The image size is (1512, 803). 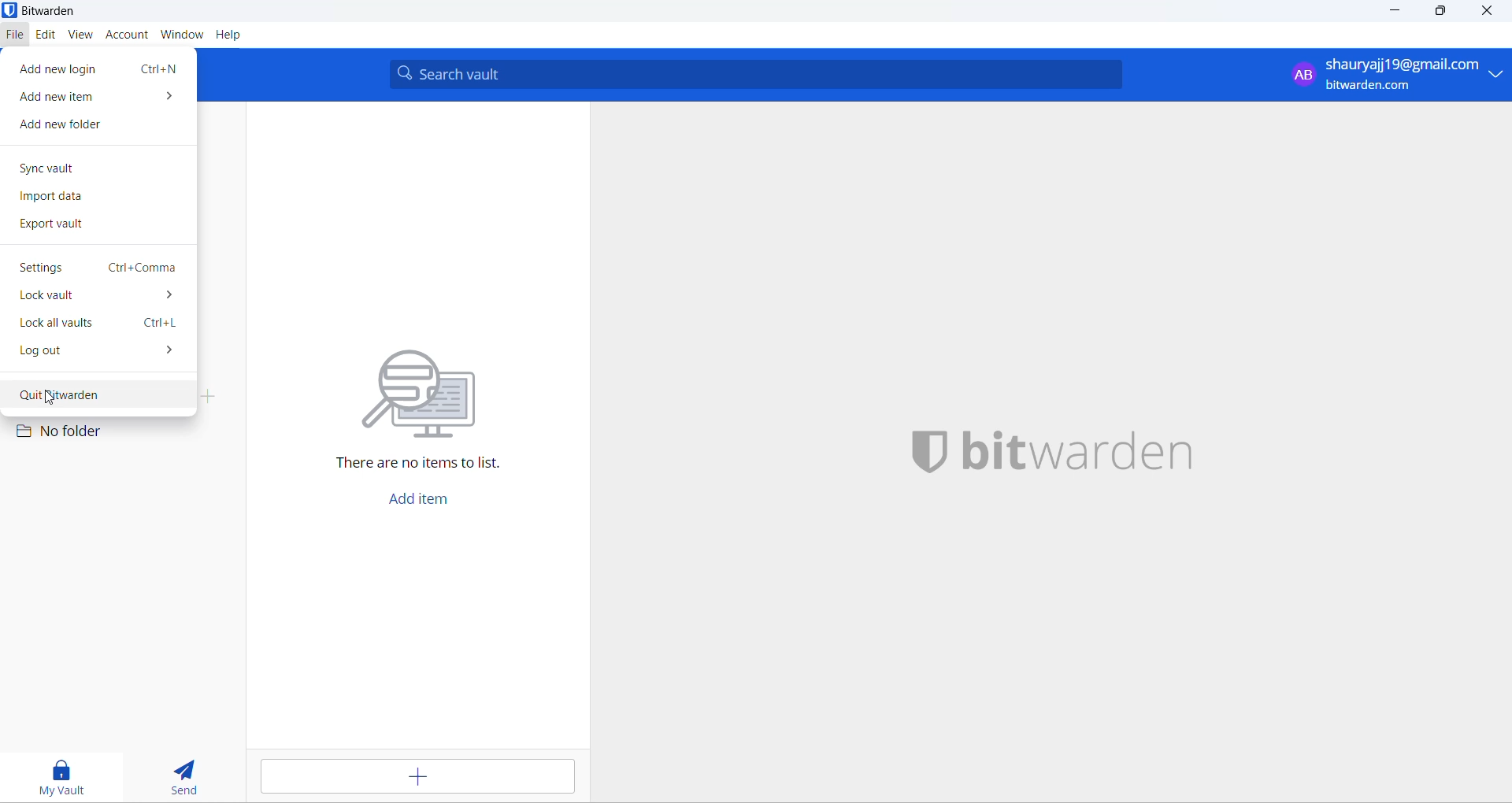 What do you see at coordinates (92, 433) in the screenshot?
I see `no folder` at bounding box center [92, 433].